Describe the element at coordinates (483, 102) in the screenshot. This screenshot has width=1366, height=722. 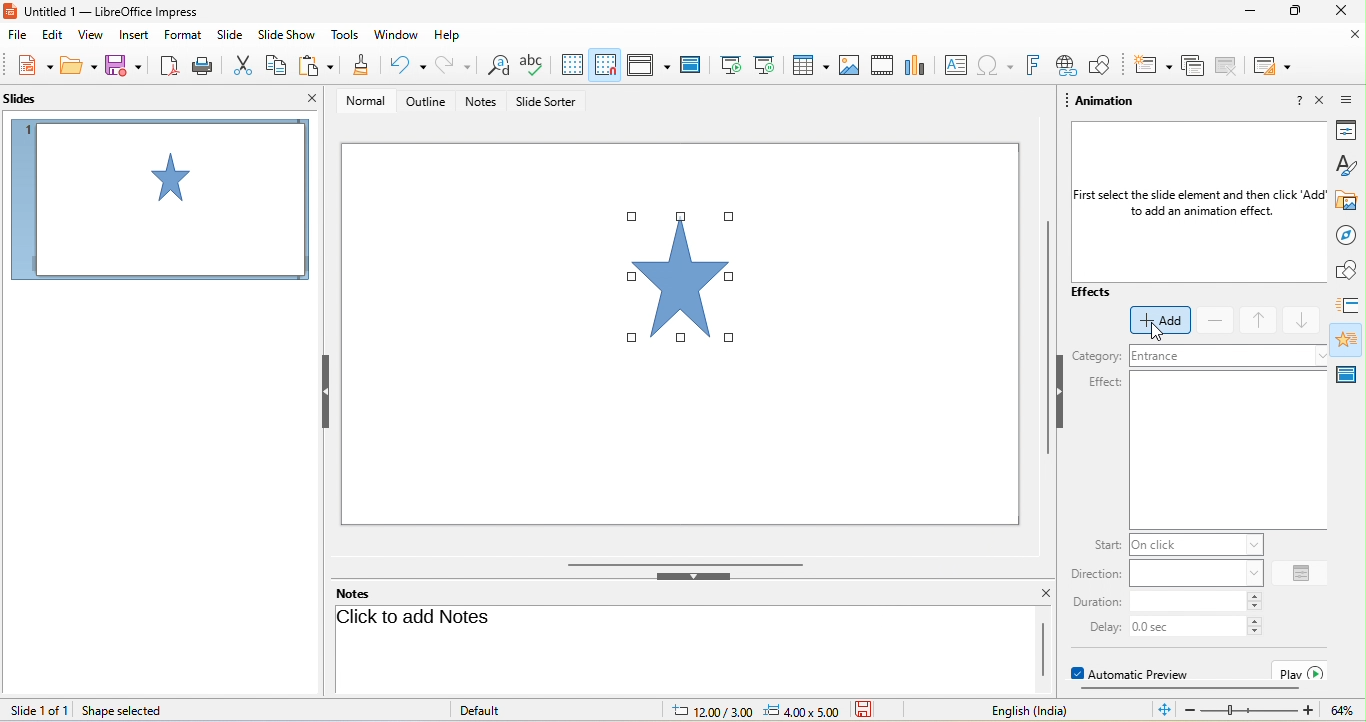
I see `notes` at that location.